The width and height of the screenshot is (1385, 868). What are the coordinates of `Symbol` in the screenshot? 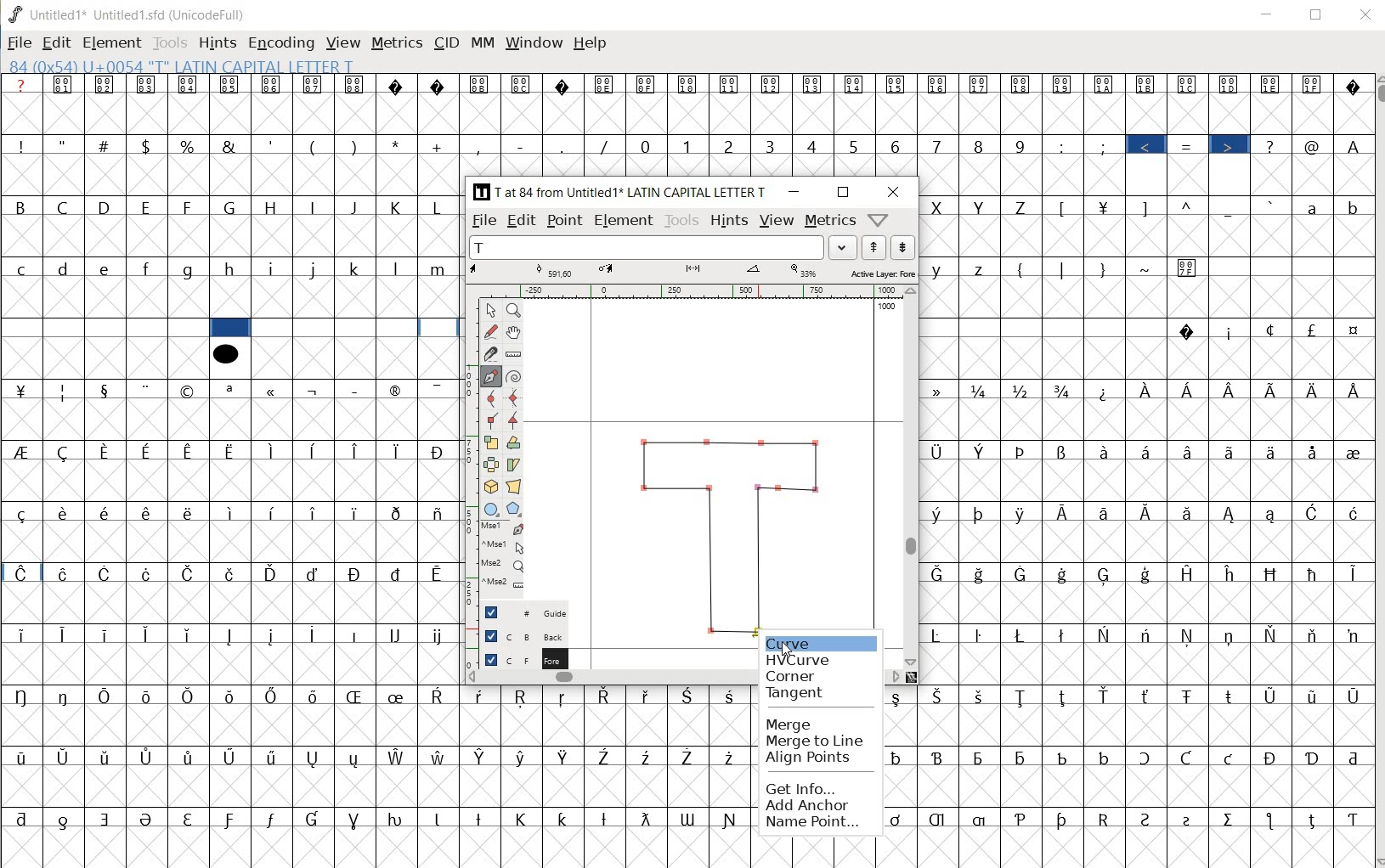 It's located at (1230, 759).